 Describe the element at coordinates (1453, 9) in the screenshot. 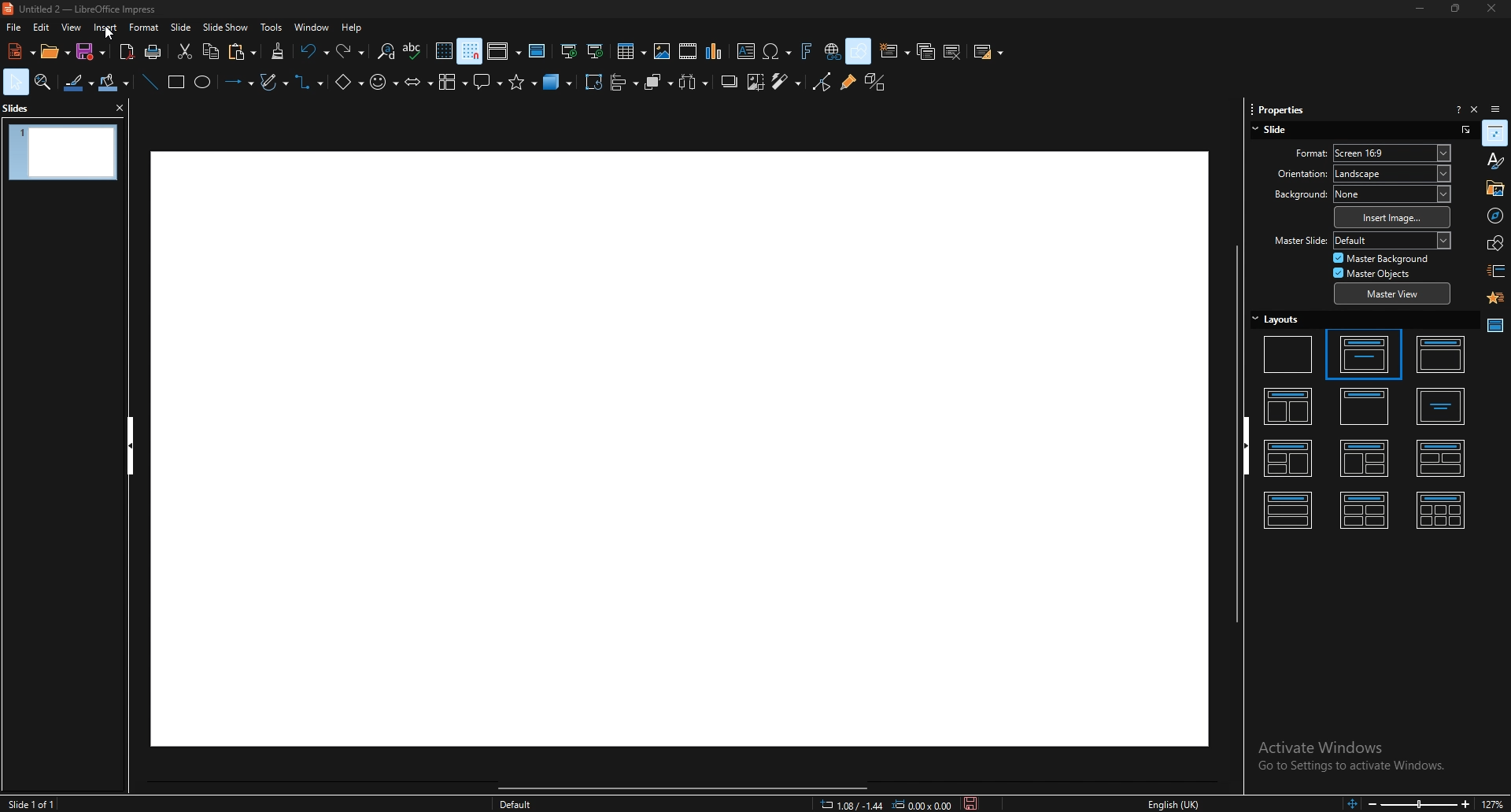

I see `resize` at that location.